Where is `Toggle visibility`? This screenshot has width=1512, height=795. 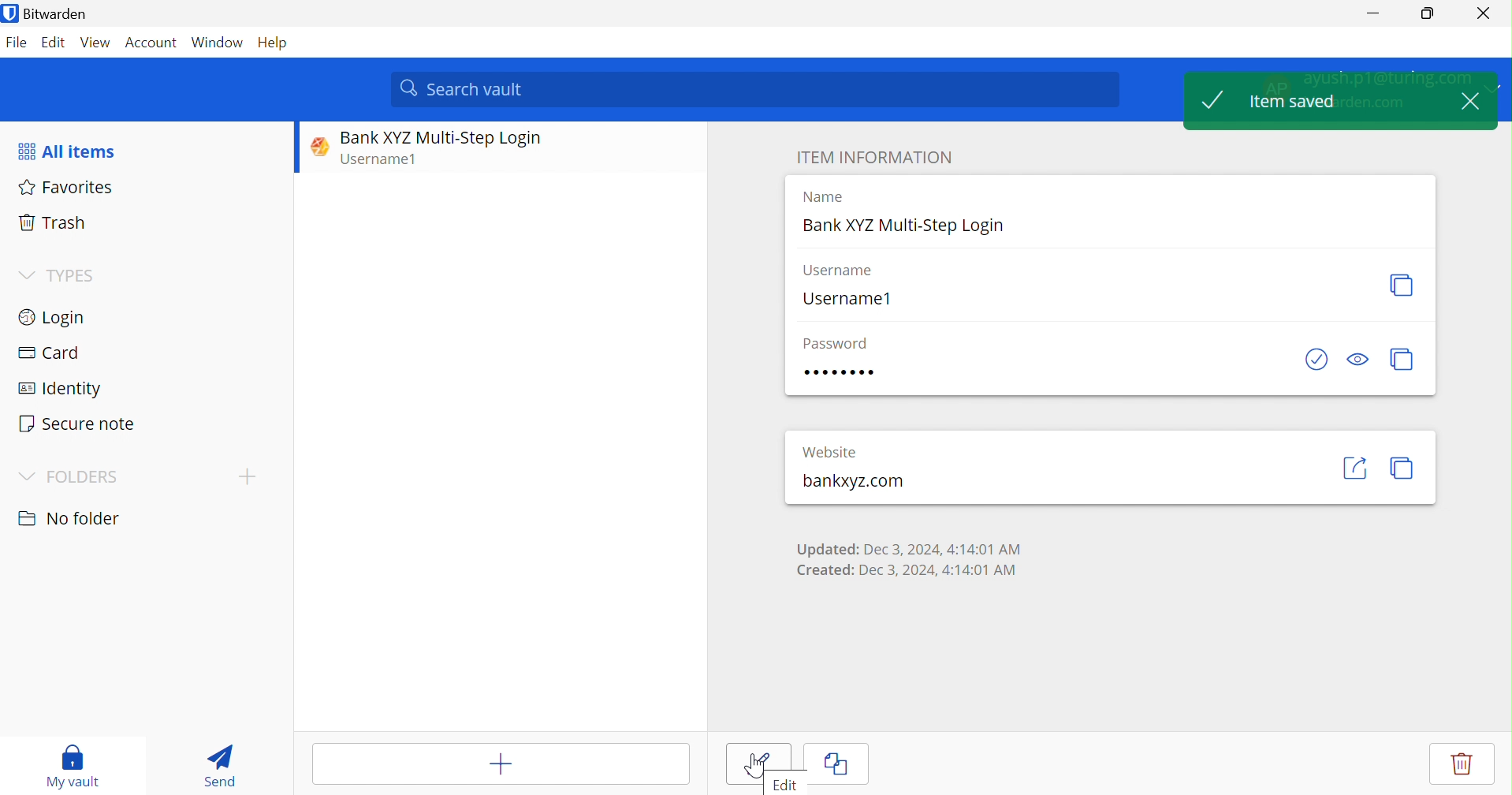 Toggle visibility is located at coordinates (1357, 360).